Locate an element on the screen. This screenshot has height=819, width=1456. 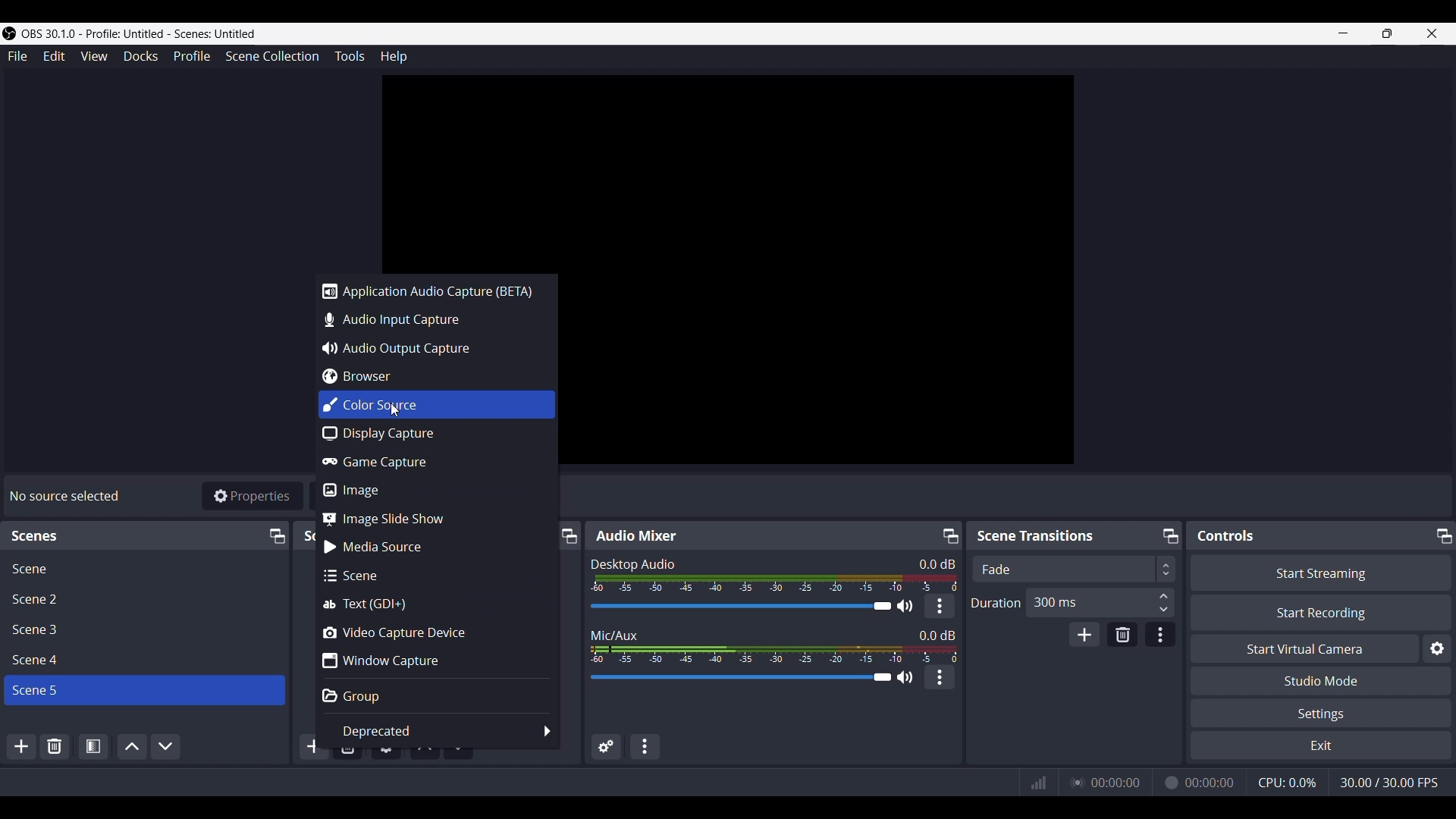
30.00/30.00 FPS is located at coordinates (1389, 782).